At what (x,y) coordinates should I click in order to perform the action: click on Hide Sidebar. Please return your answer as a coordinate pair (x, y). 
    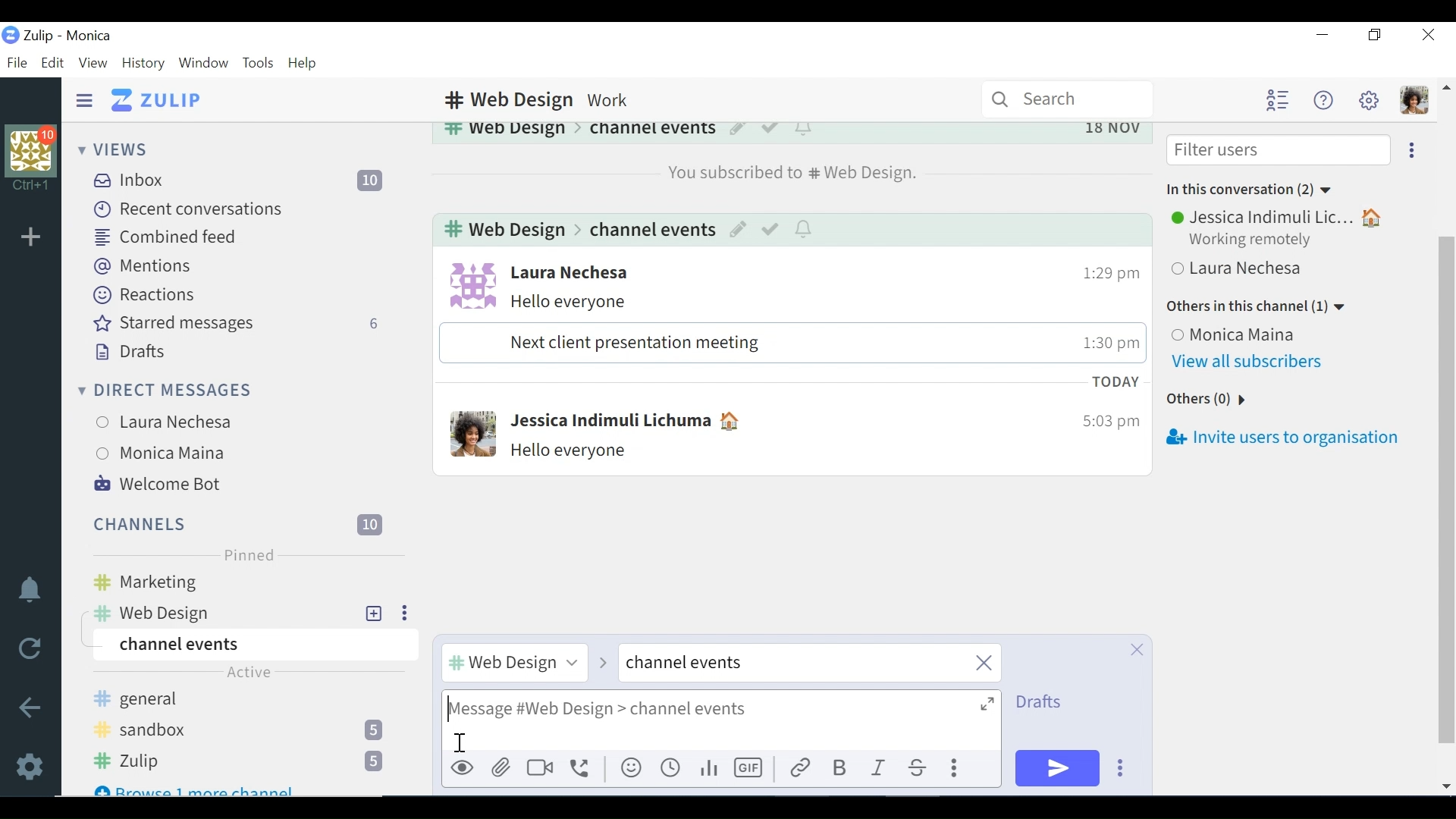
    Looking at the image, I should click on (84, 99).